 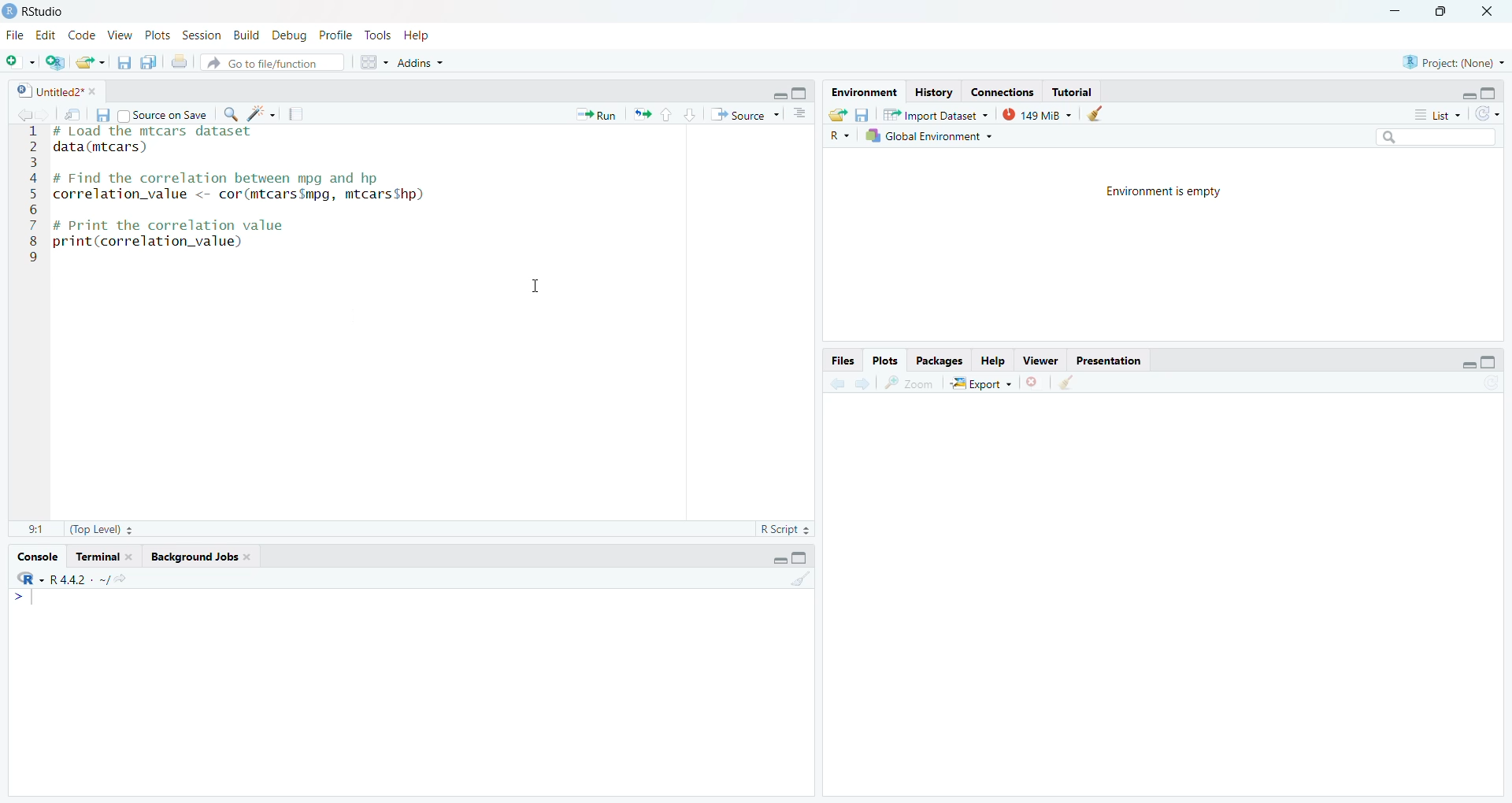 What do you see at coordinates (57, 90) in the screenshot?
I see `Untitled2*` at bounding box center [57, 90].